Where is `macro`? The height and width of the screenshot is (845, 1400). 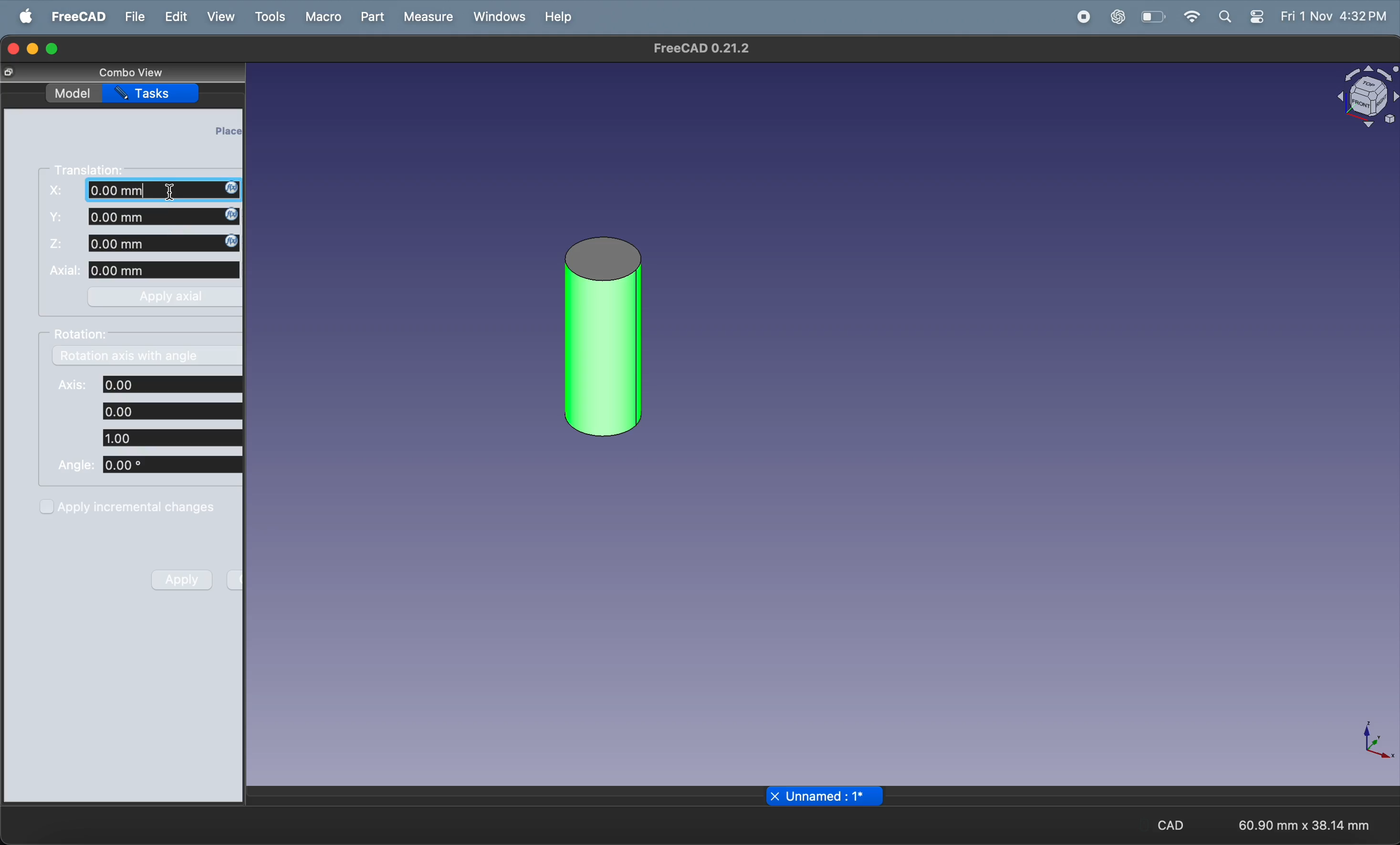
macro is located at coordinates (323, 18).